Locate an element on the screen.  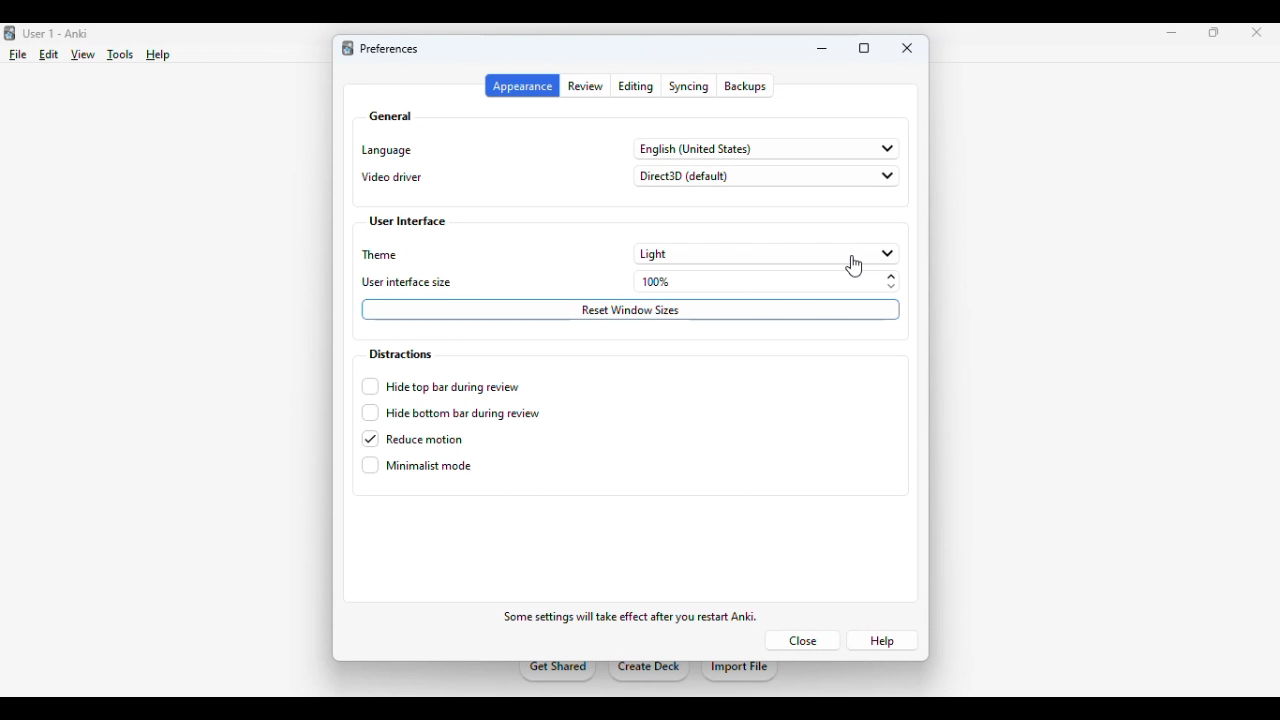
syncing is located at coordinates (689, 86).